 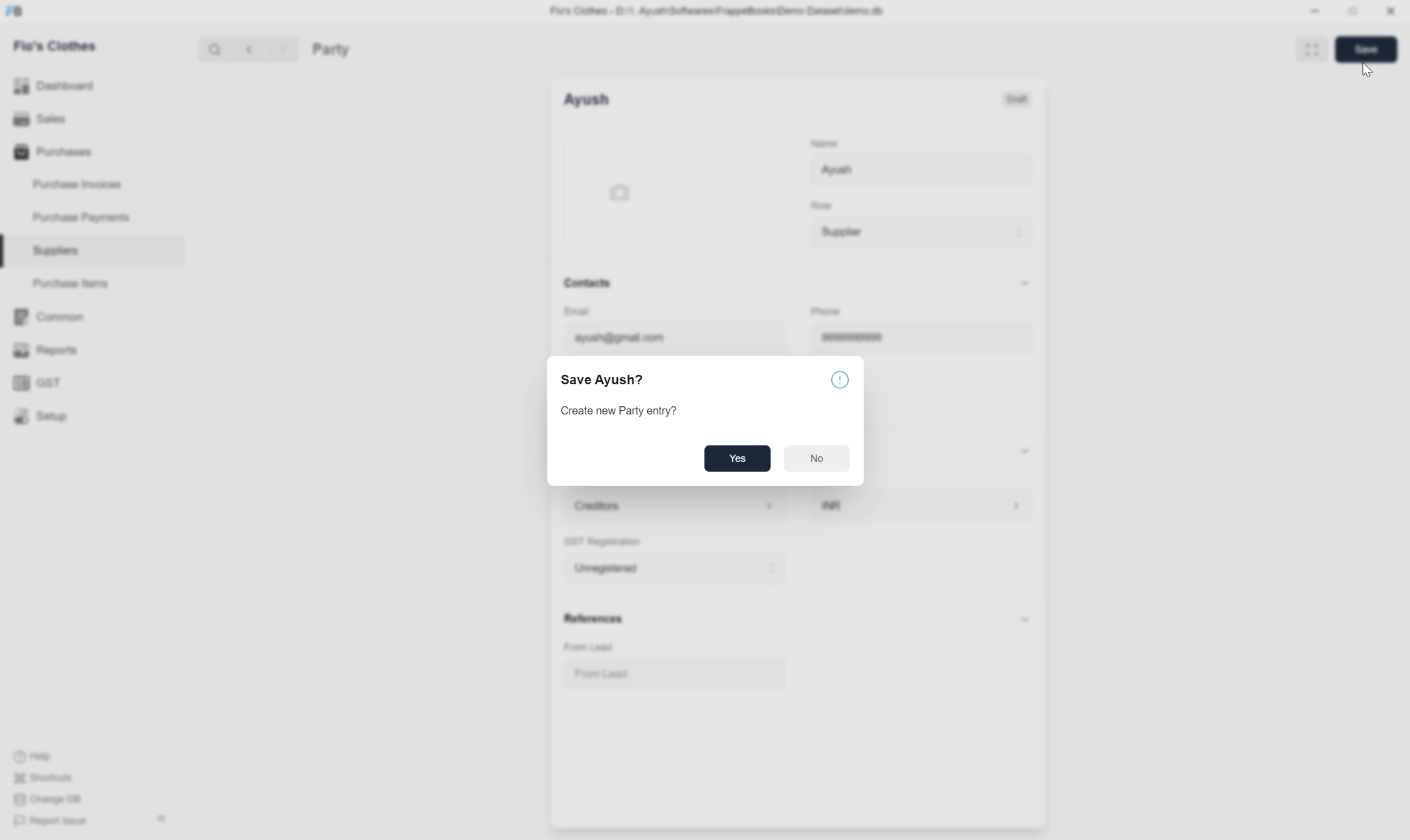 What do you see at coordinates (44, 757) in the screenshot?
I see `Help` at bounding box center [44, 757].